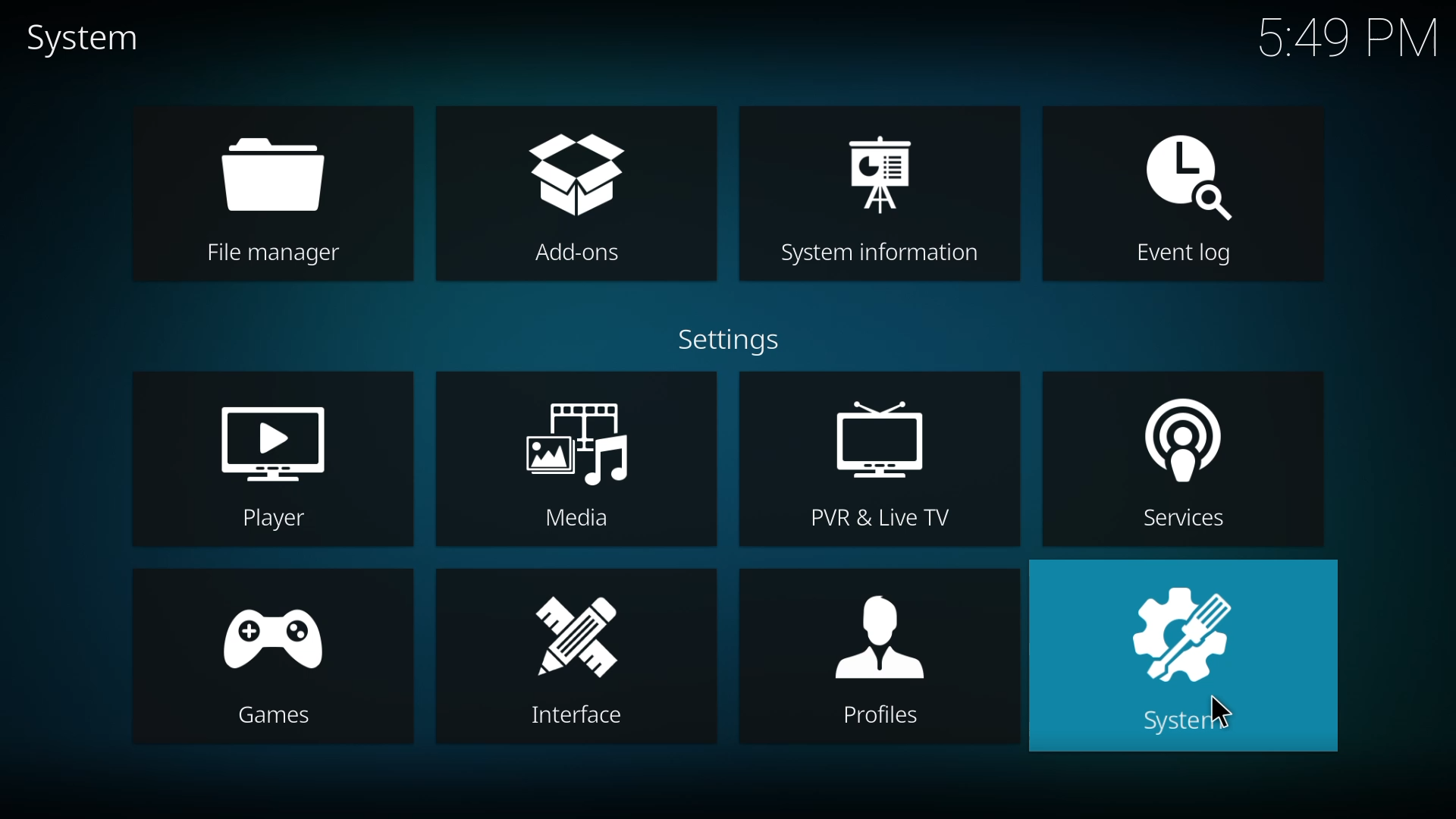 The width and height of the screenshot is (1456, 819). Describe the element at coordinates (1222, 714) in the screenshot. I see `cursor` at that location.